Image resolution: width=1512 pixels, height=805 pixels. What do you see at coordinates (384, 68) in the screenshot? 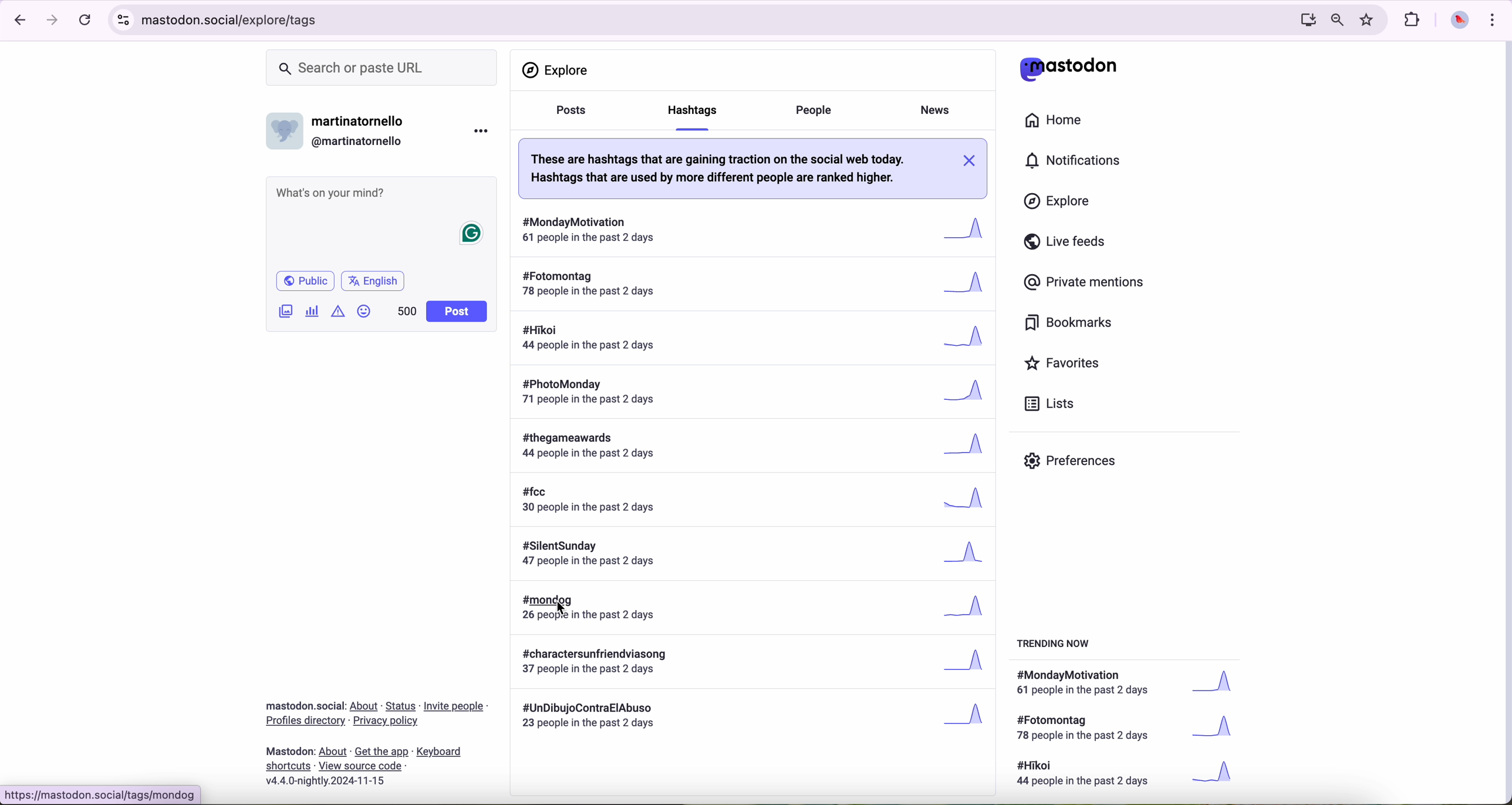
I see `search bar` at bounding box center [384, 68].